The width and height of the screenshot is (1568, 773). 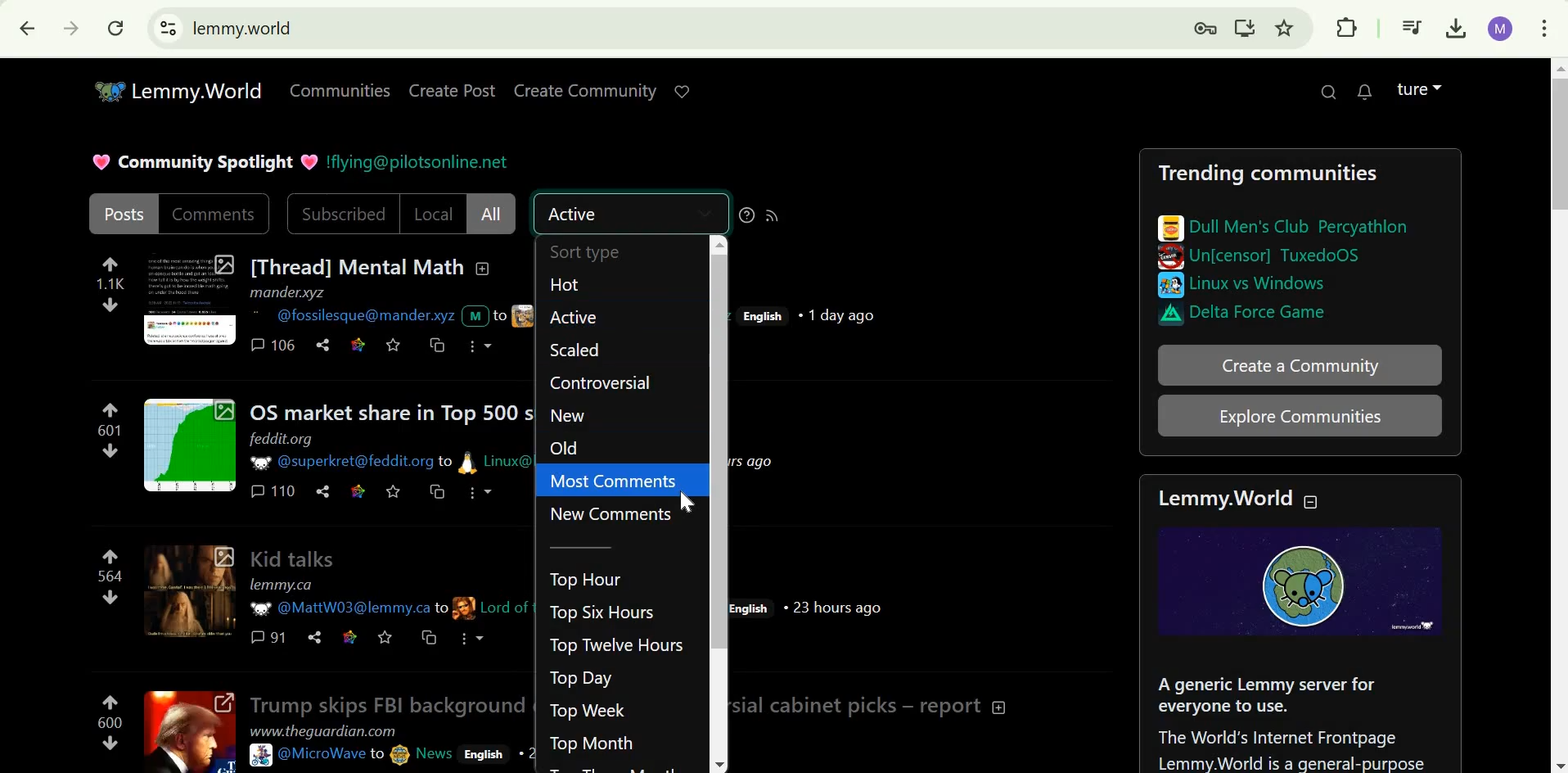 I want to click on Dull men's club percythlon, so click(x=1300, y=224).